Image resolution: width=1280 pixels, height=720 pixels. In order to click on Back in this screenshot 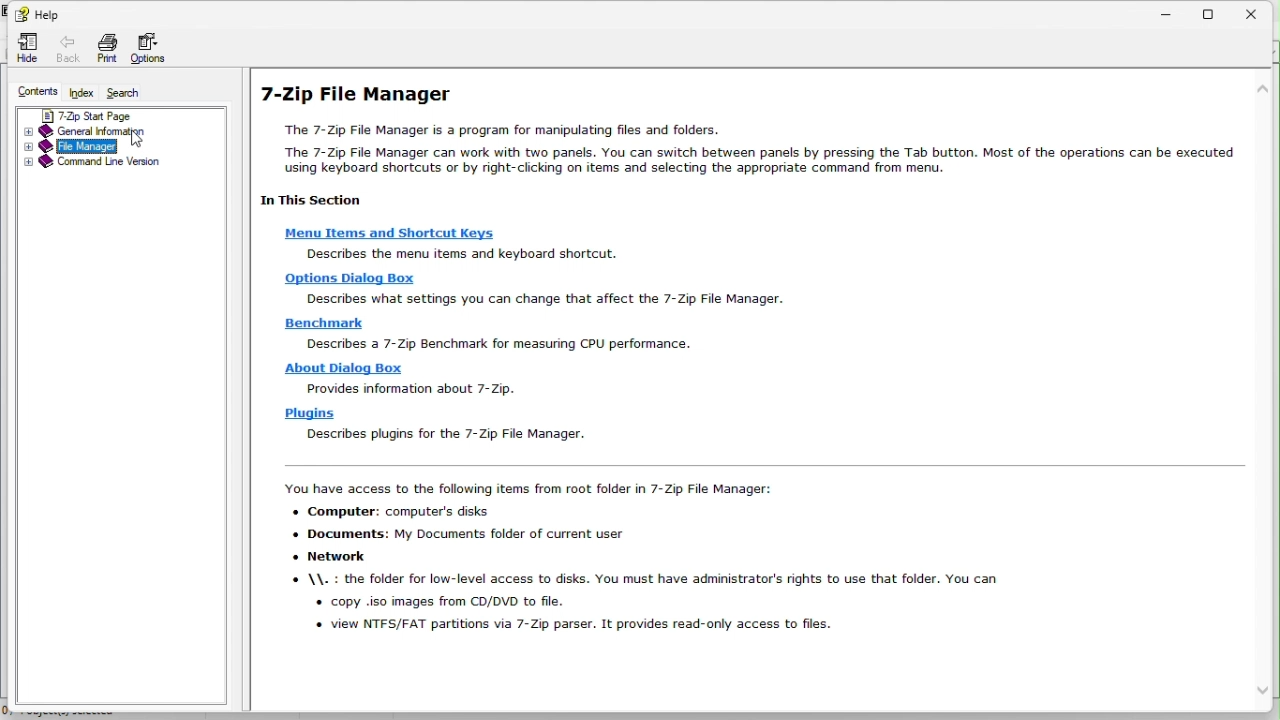, I will do `click(66, 51)`.